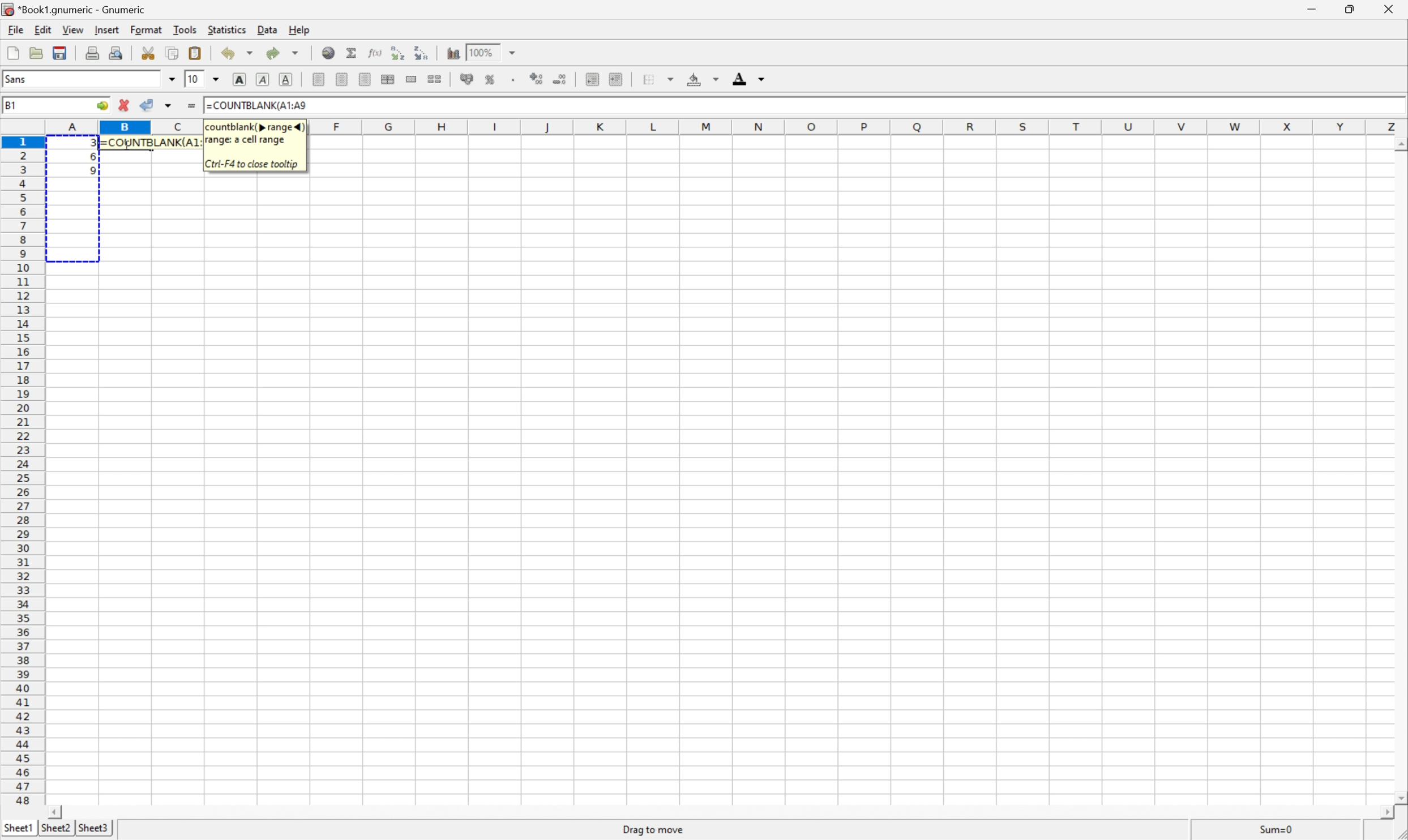  I want to click on Edit a function in current cell, so click(374, 52).